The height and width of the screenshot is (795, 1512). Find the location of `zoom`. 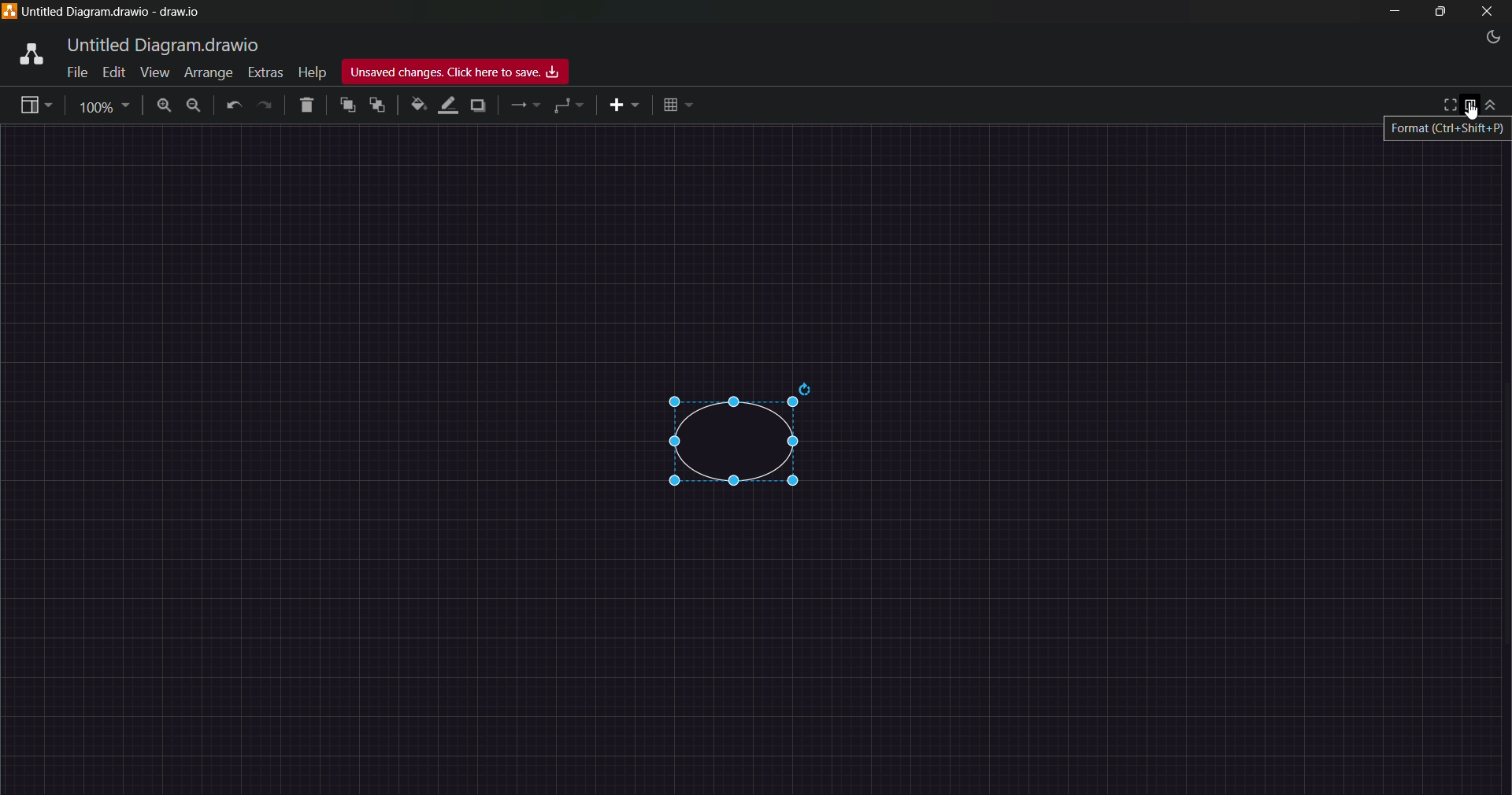

zoom is located at coordinates (106, 106).